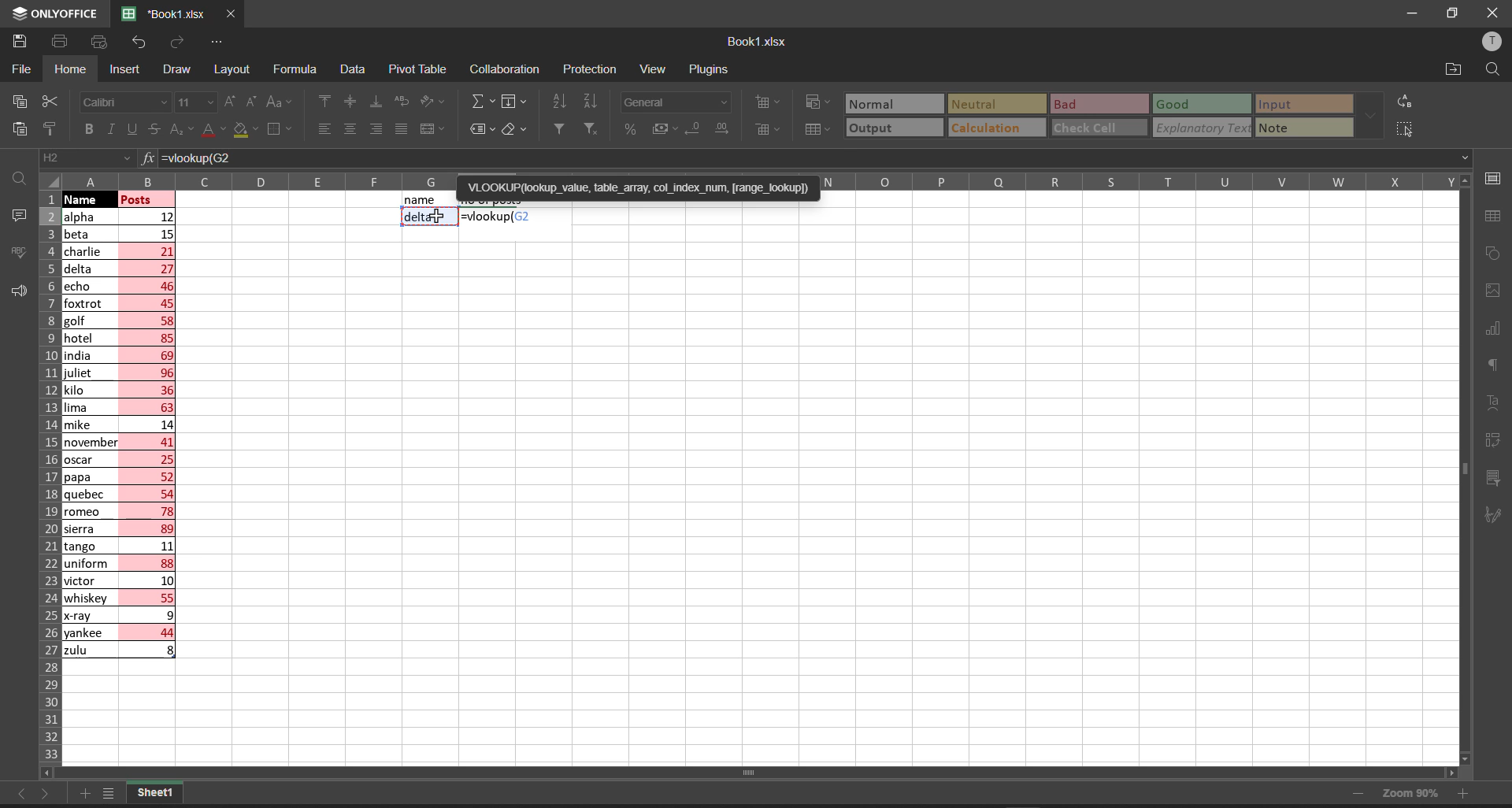  I want to click on borders, so click(282, 130).